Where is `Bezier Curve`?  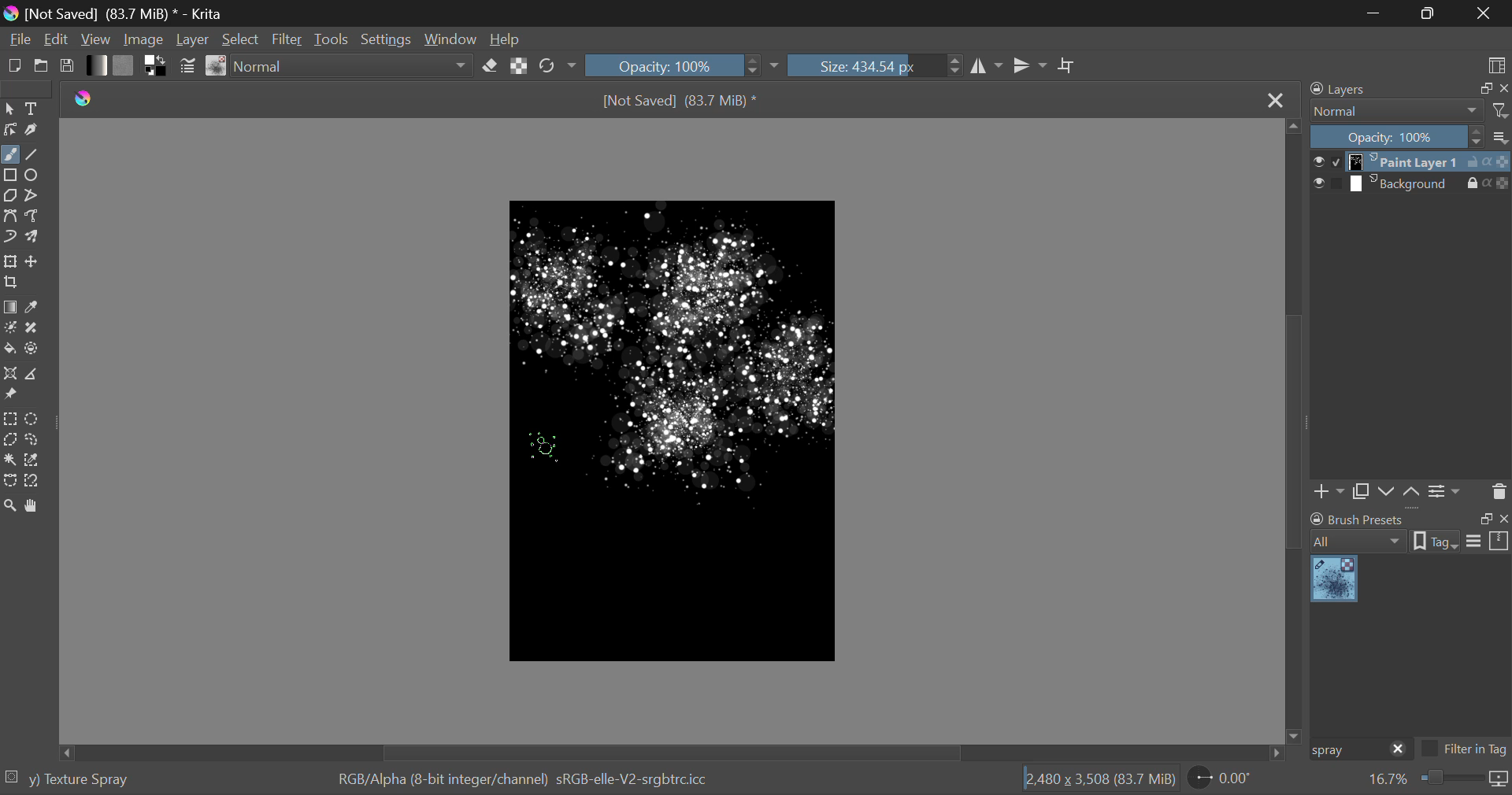 Bezier Curve is located at coordinates (9, 215).